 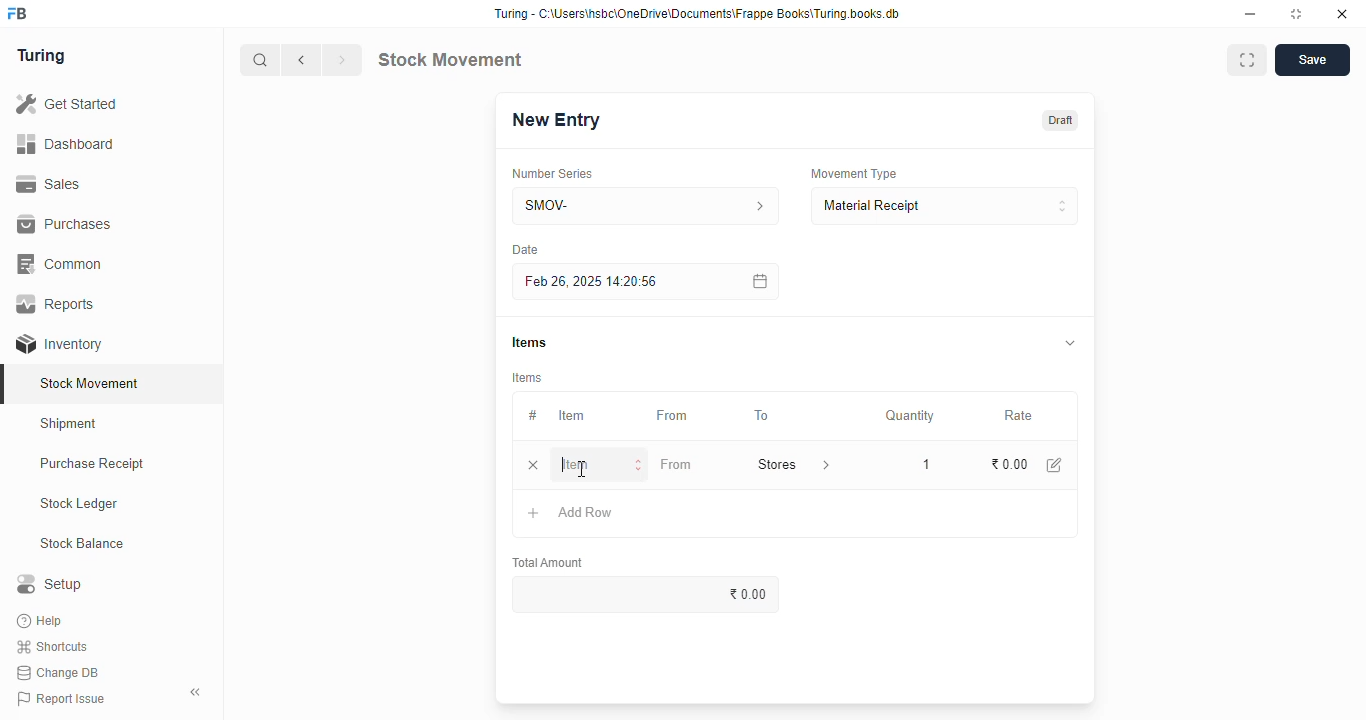 What do you see at coordinates (555, 120) in the screenshot?
I see `new entry` at bounding box center [555, 120].